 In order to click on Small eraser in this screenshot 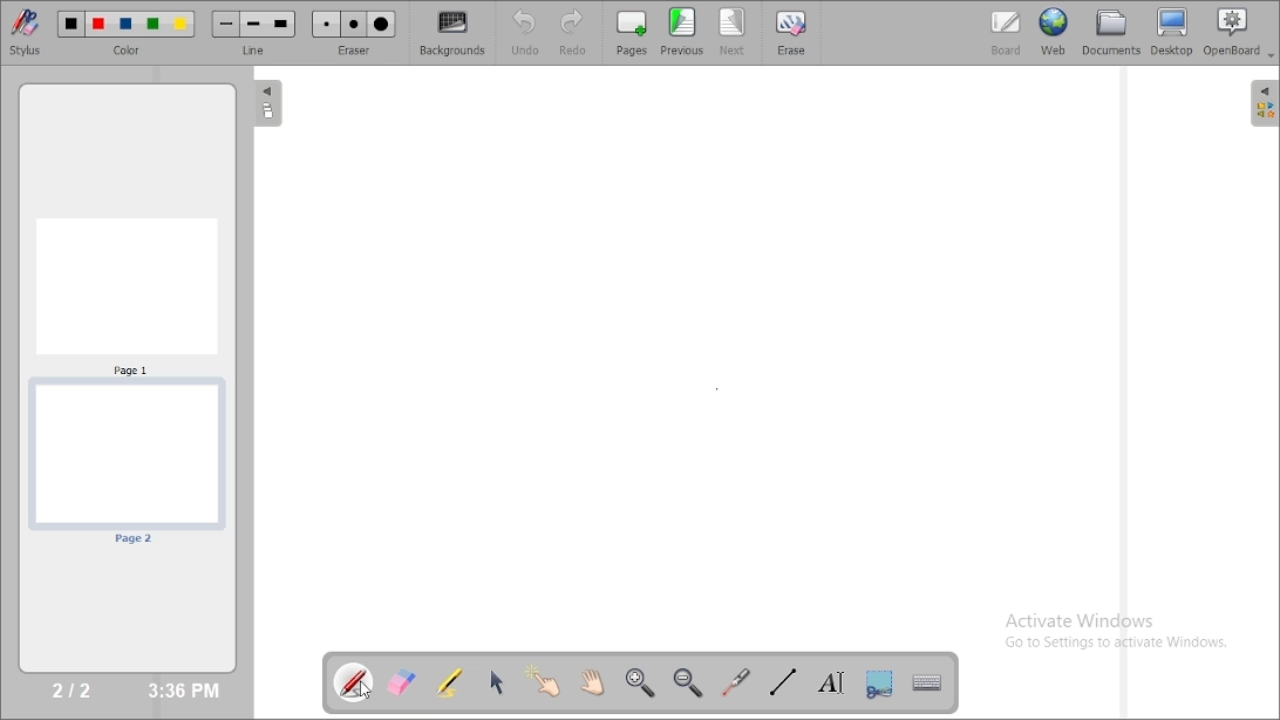, I will do `click(326, 25)`.